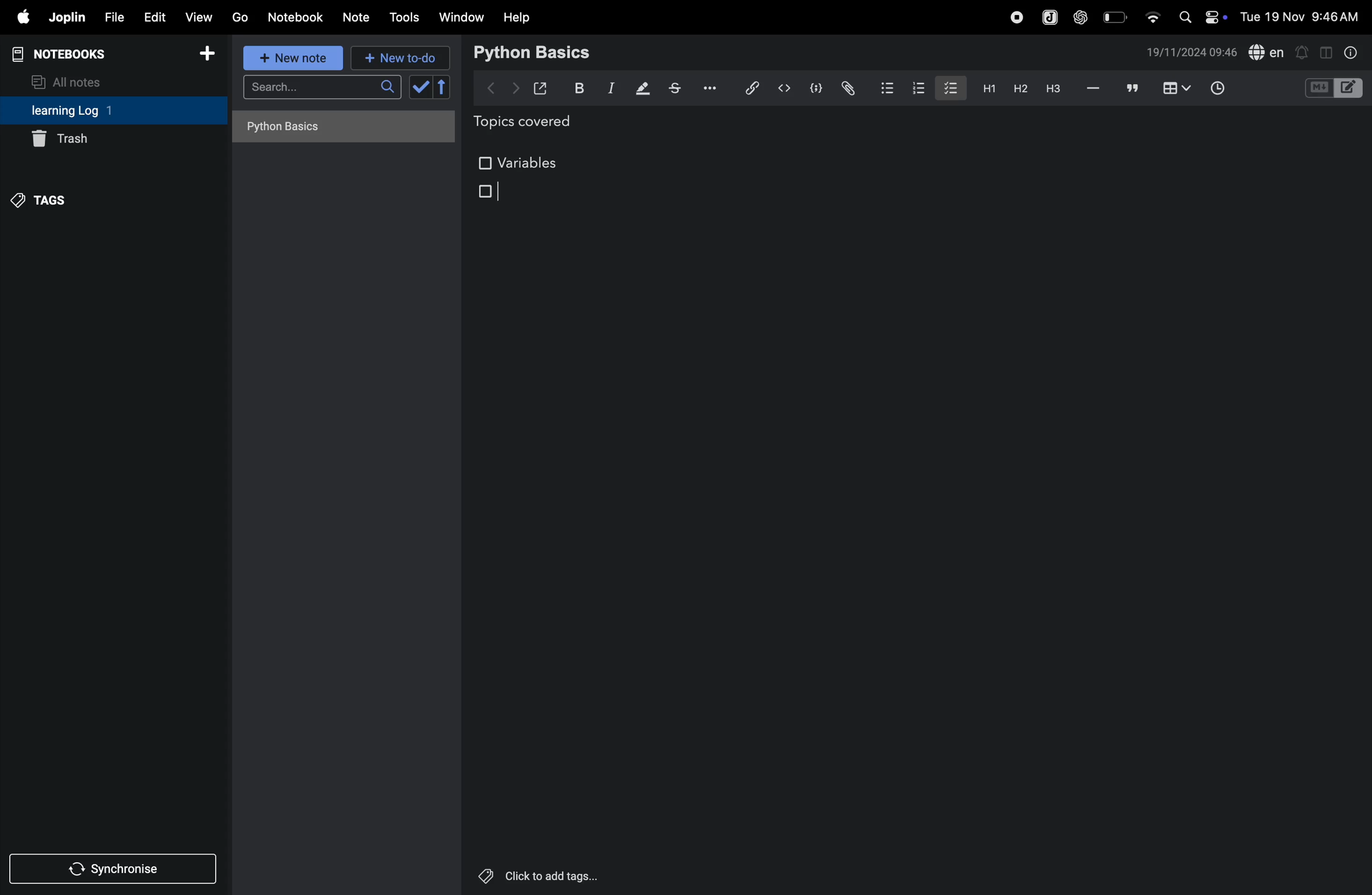  I want to click on all notes, so click(73, 81).